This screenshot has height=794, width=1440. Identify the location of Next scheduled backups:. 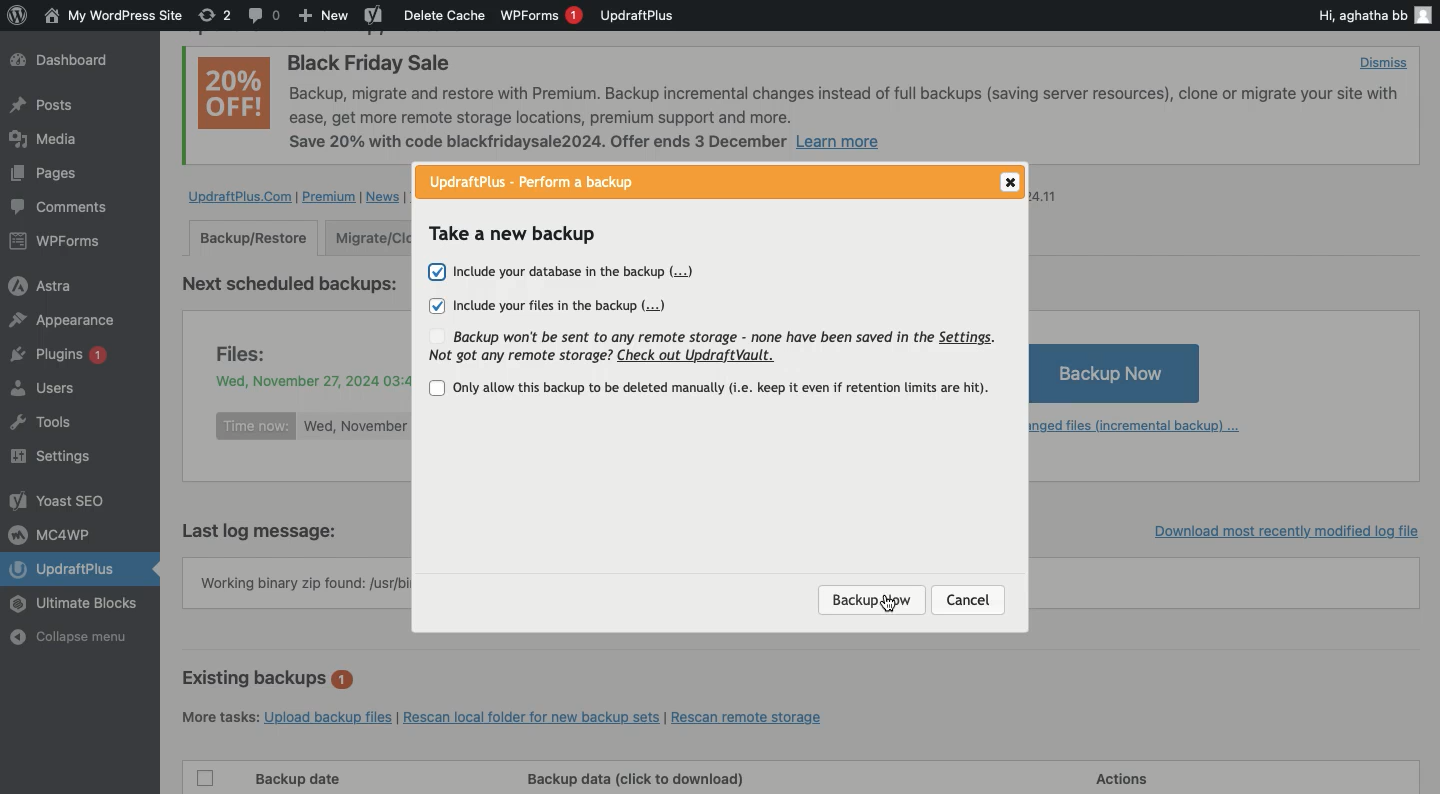
(290, 287).